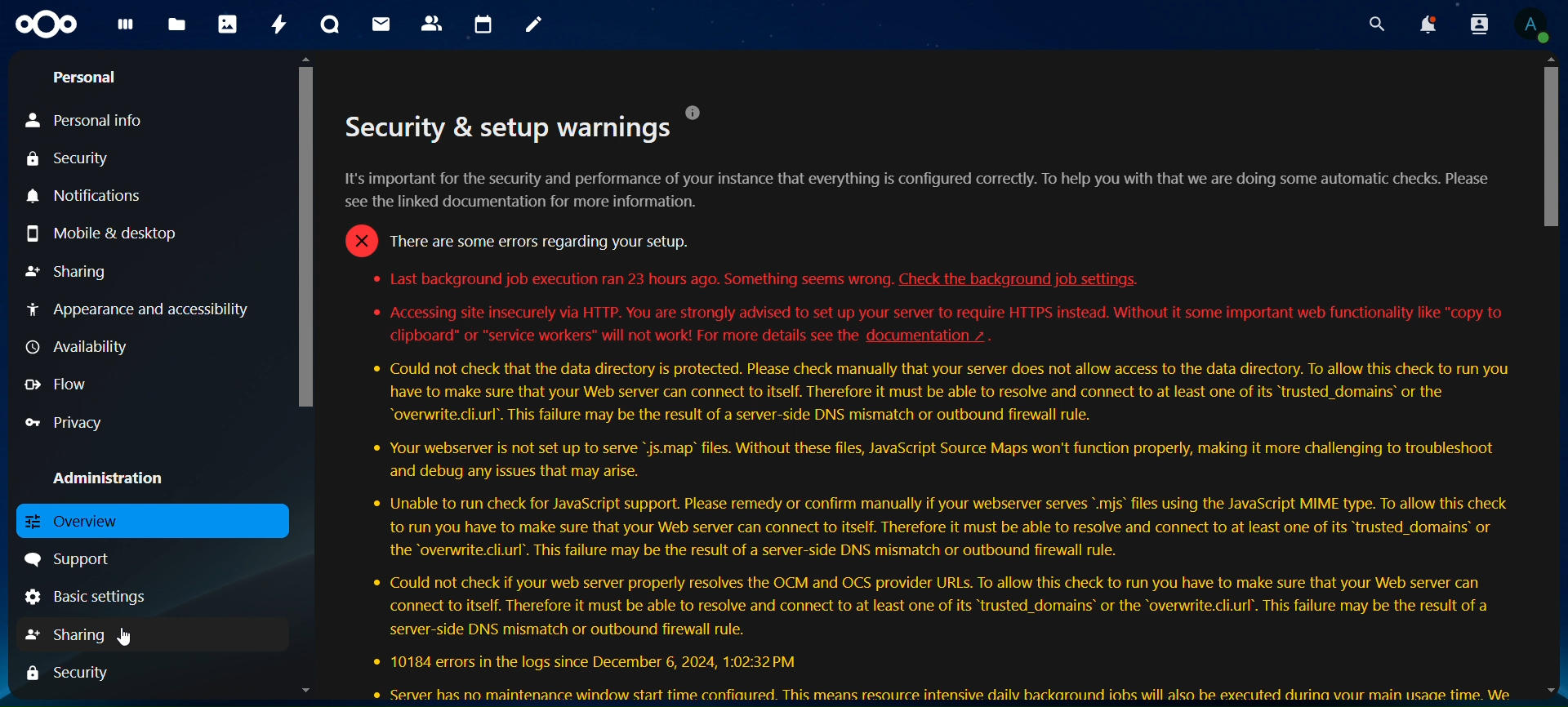 This screenshot has height=707, width=1568. Describe the element at coordinates (141, 306) in the screenshot. I see `appearance and acessibilty` at that location.